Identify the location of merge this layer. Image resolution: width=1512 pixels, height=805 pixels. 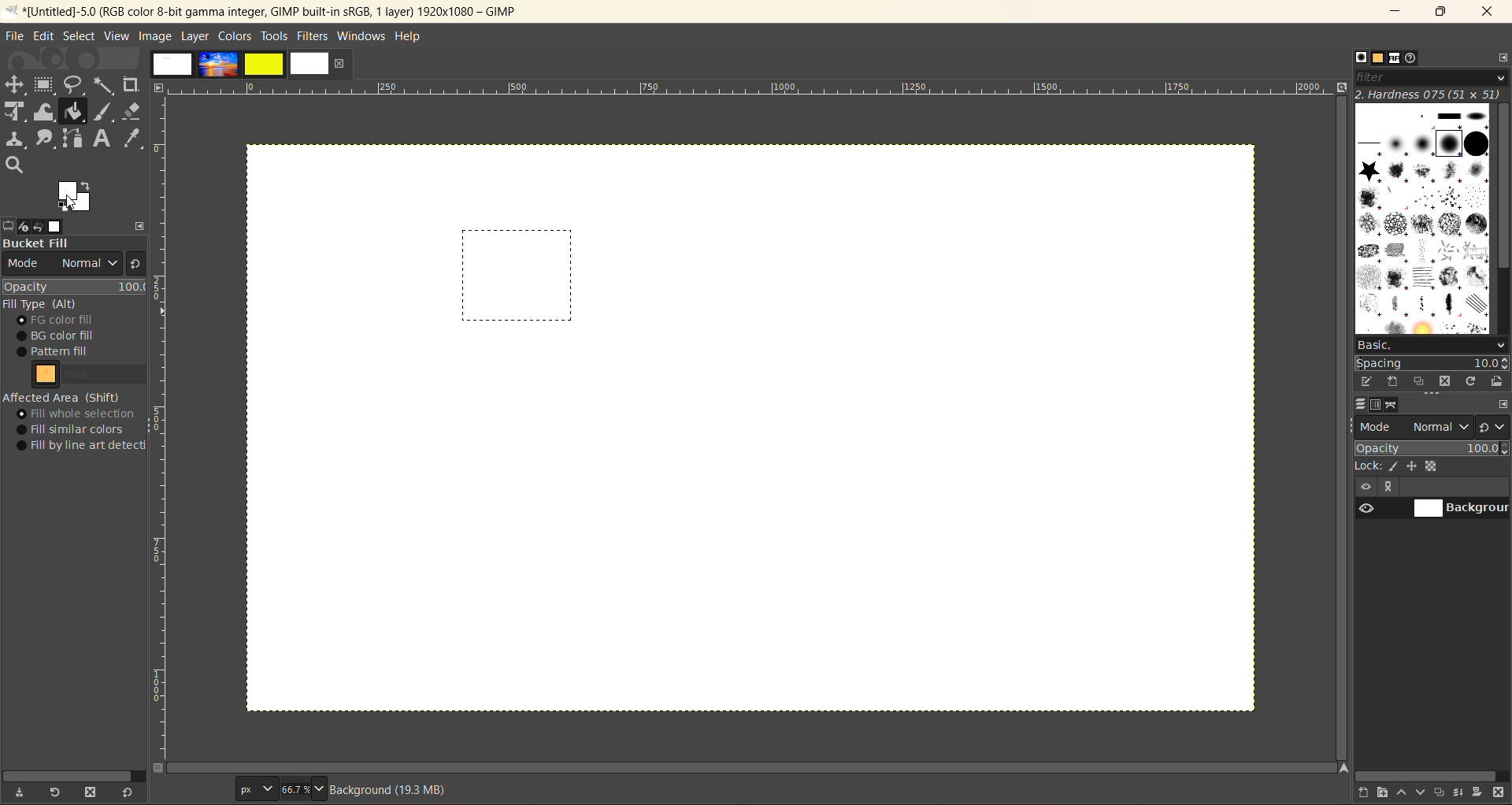
(1463, 792).